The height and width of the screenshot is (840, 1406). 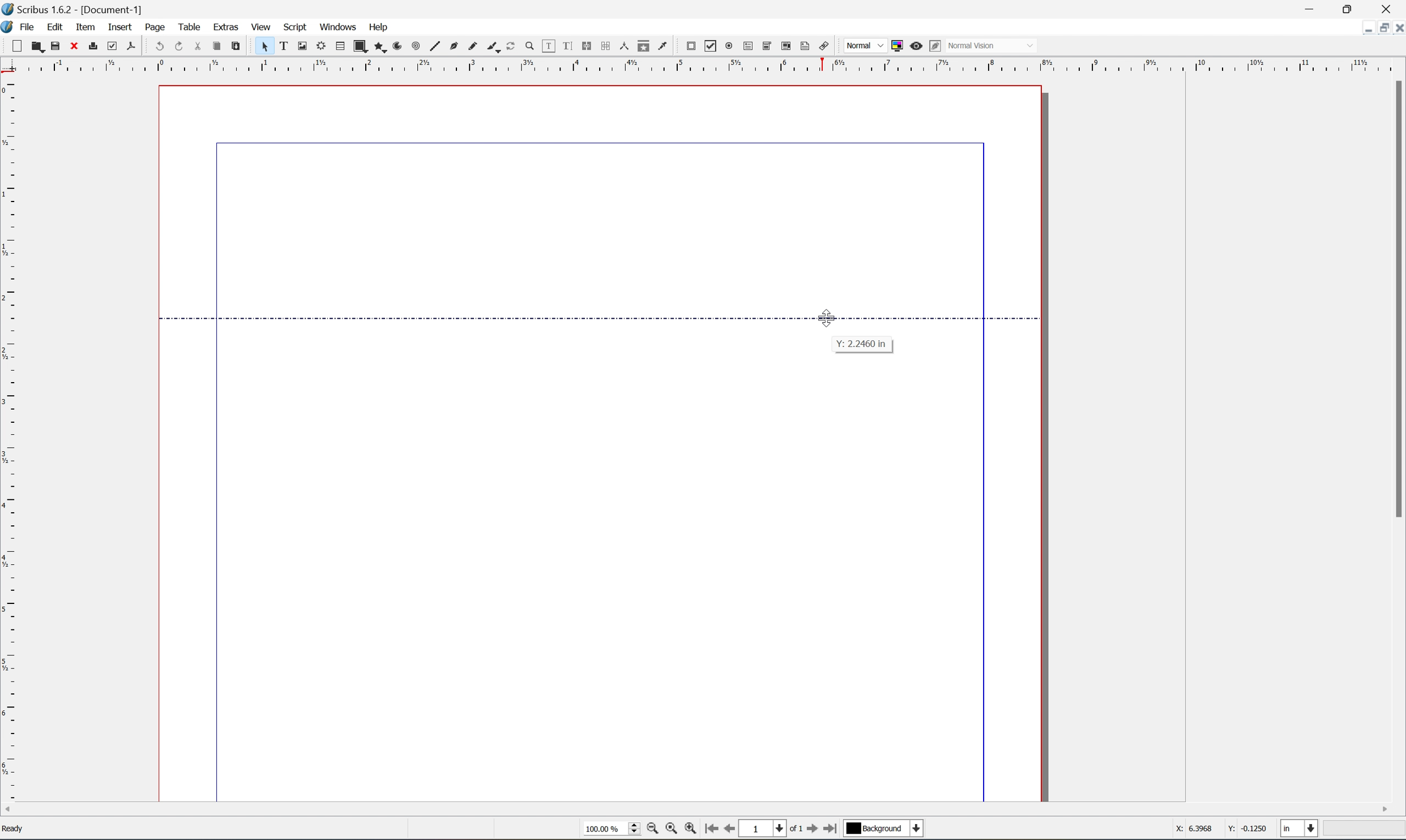 What do you see at coordinates (298, 27) in the screenshot?
I see `script` at bounding box center [298, 27].